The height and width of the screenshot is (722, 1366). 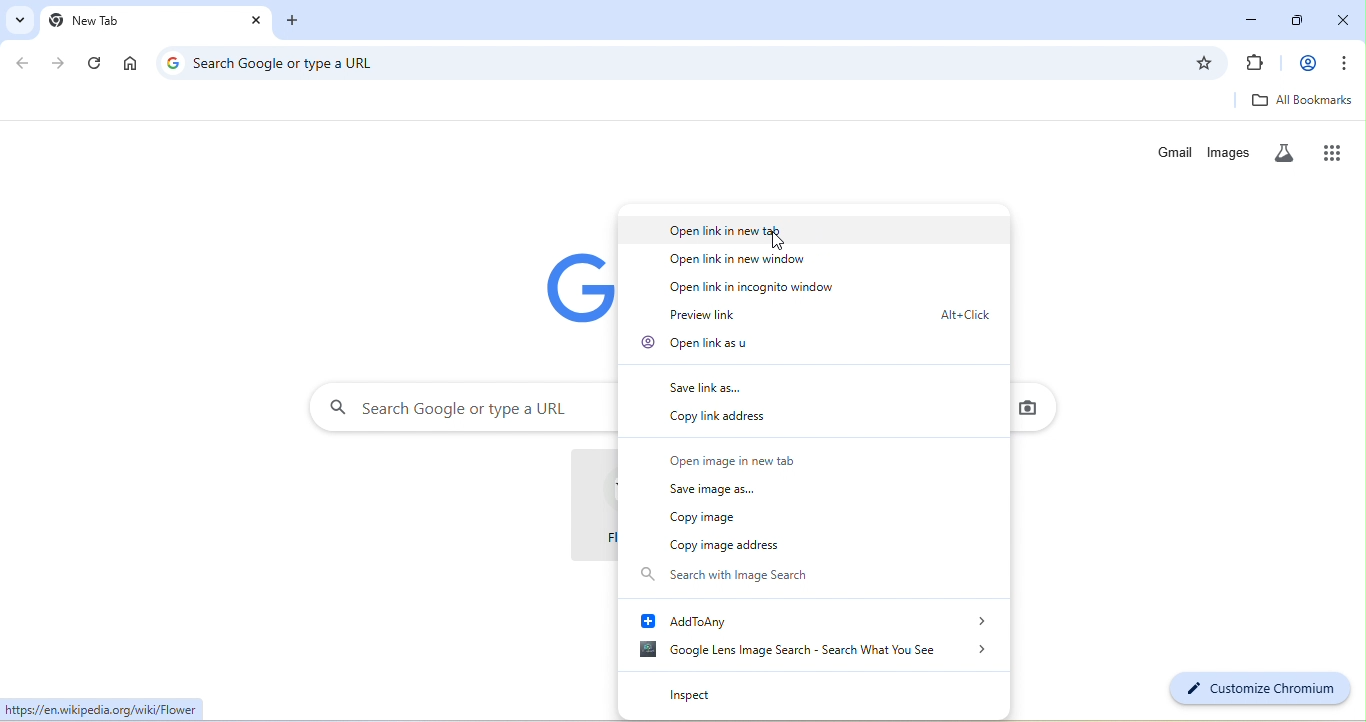 I want to click on customize chromium, so click(x=1257, y=689).